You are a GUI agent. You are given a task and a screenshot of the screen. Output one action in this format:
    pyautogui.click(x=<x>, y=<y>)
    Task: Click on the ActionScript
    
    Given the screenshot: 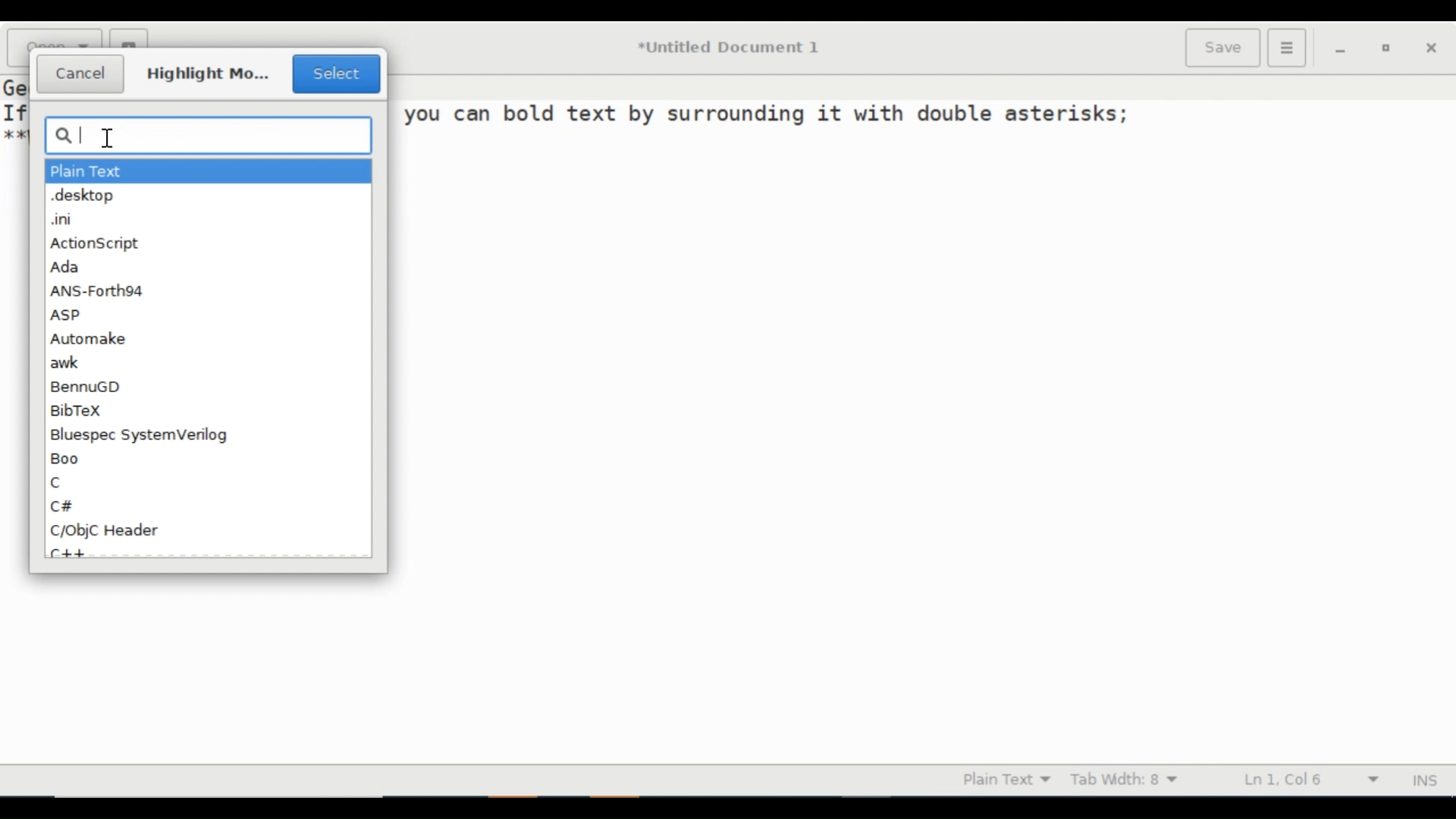 What is the action you would take?
    pyautogui.click(x=95, y=243)
    